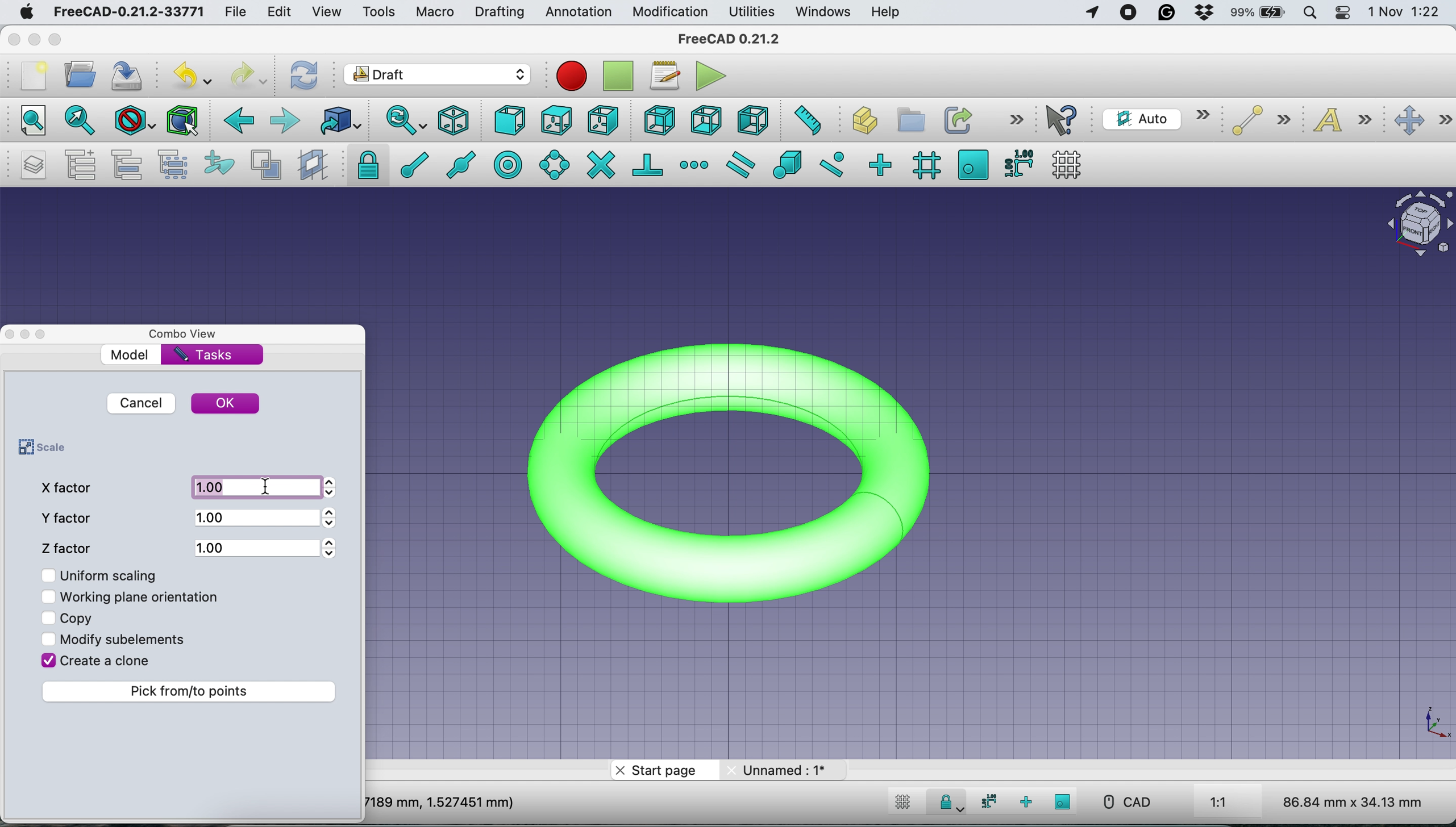 The height and width of the screenshot is (827, 1456). What do you see at coordinates (908, 118) in the screenshot?
I see `create group` at bounding box center [908, 118].